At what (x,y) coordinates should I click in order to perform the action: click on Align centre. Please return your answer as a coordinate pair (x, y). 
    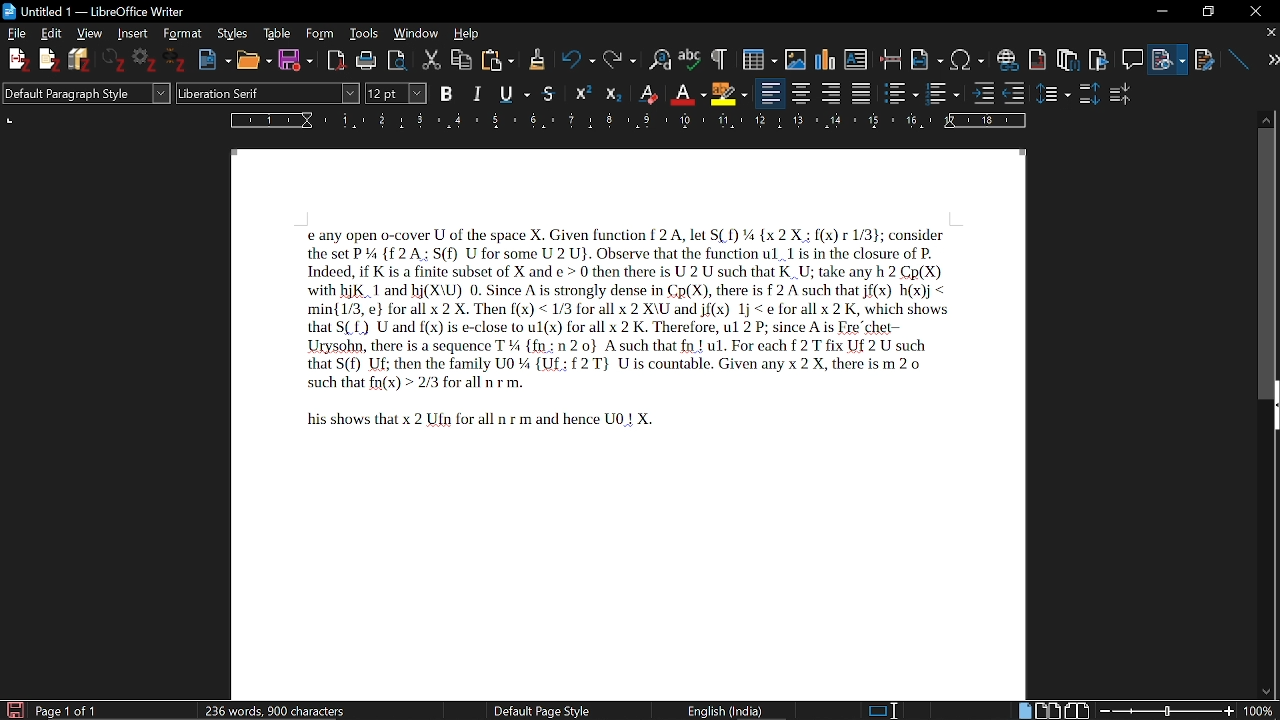
    Looking at the image, I should click on (803, 92).